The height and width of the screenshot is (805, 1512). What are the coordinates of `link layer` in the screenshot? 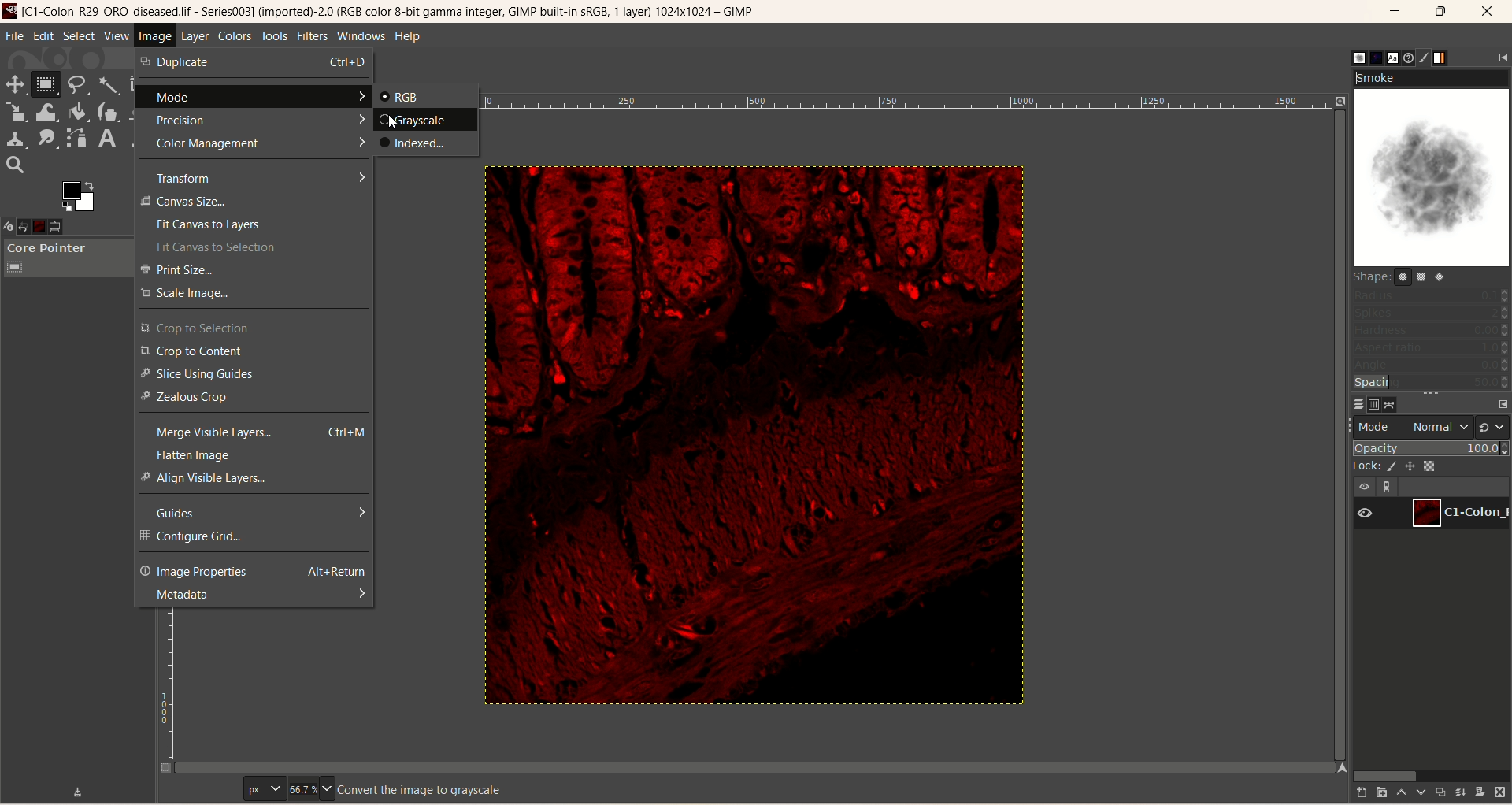 It's located at (1388, 488).